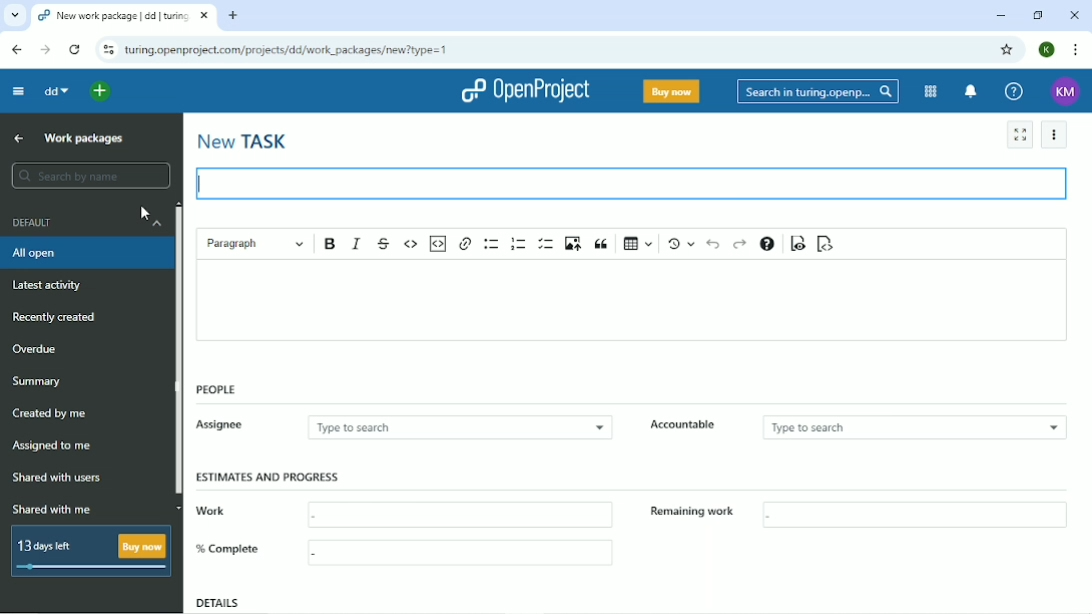 This screenshot has height=614, width=1092. I want to click on Collapse project menu, so click(18, 91).